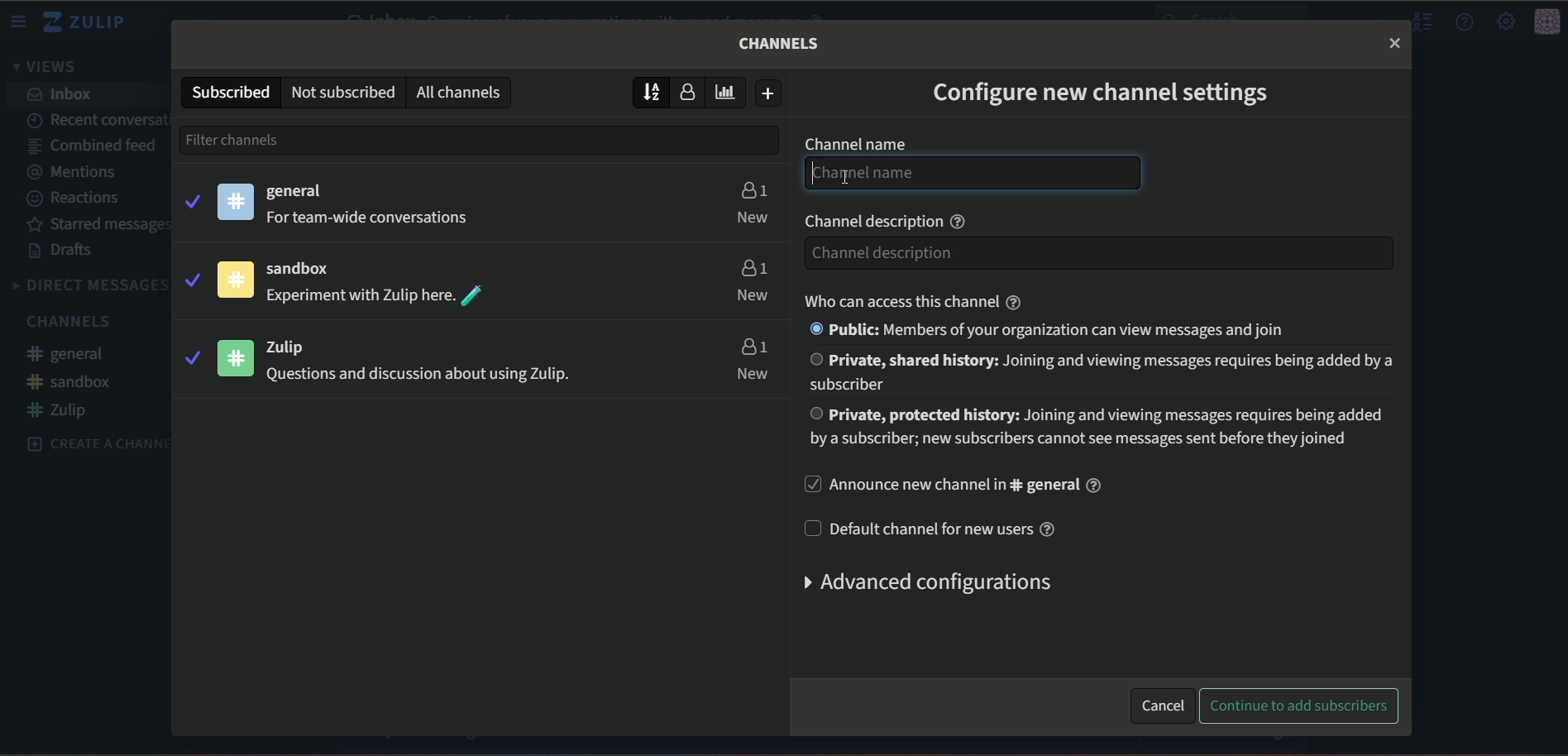 This screenshot has width=1568, height=756. Describe the element at coordinates (753, 296) in the screenshot. I see `new` at that location.